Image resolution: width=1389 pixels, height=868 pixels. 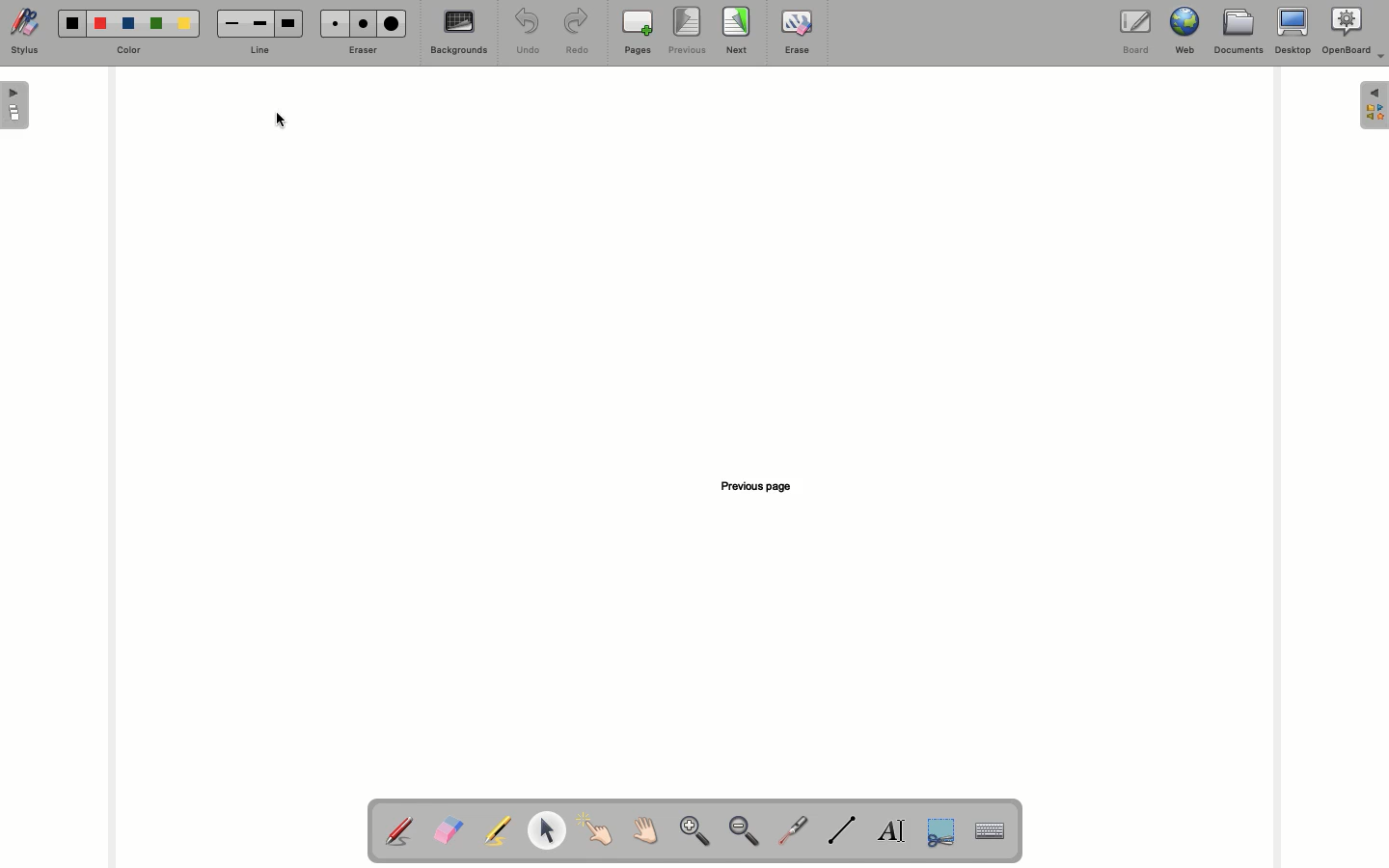 I want to click on Color 3, so click(x=128, y=24).